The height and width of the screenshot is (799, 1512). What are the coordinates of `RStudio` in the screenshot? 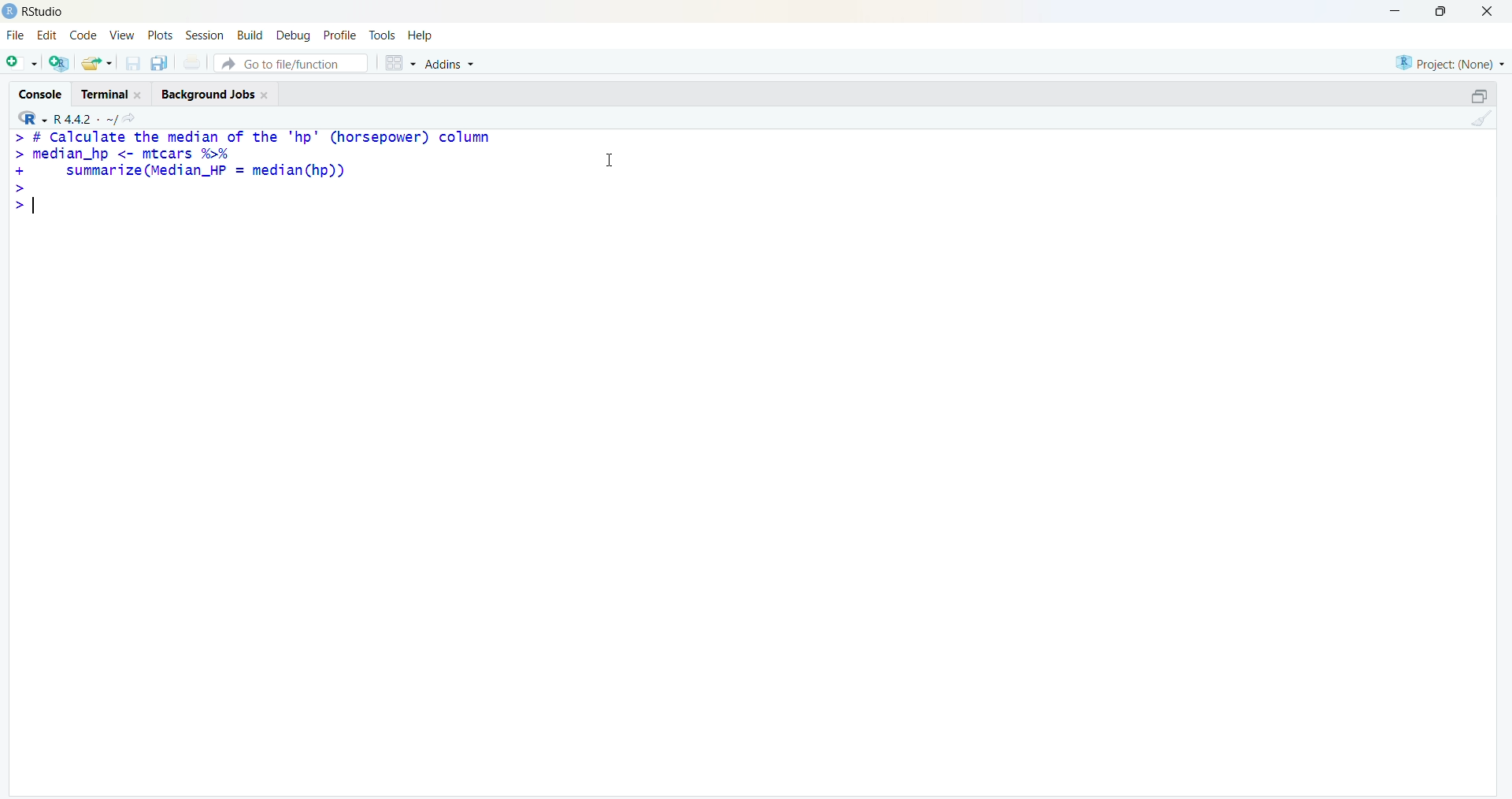 It's located at (46, 12).